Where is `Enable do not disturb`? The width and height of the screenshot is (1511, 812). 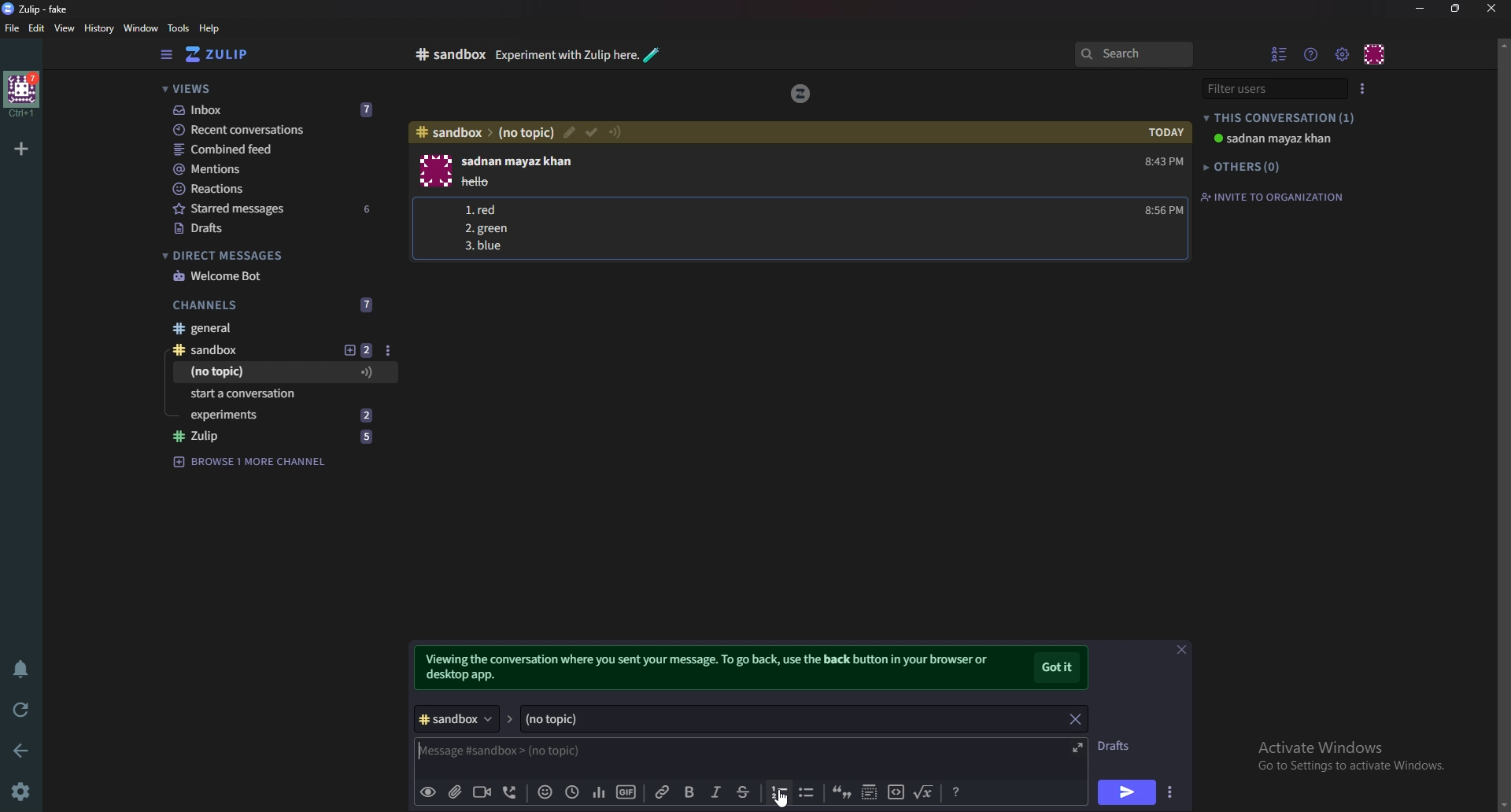 Enable do not disturb is located at coordinates (19, 670).